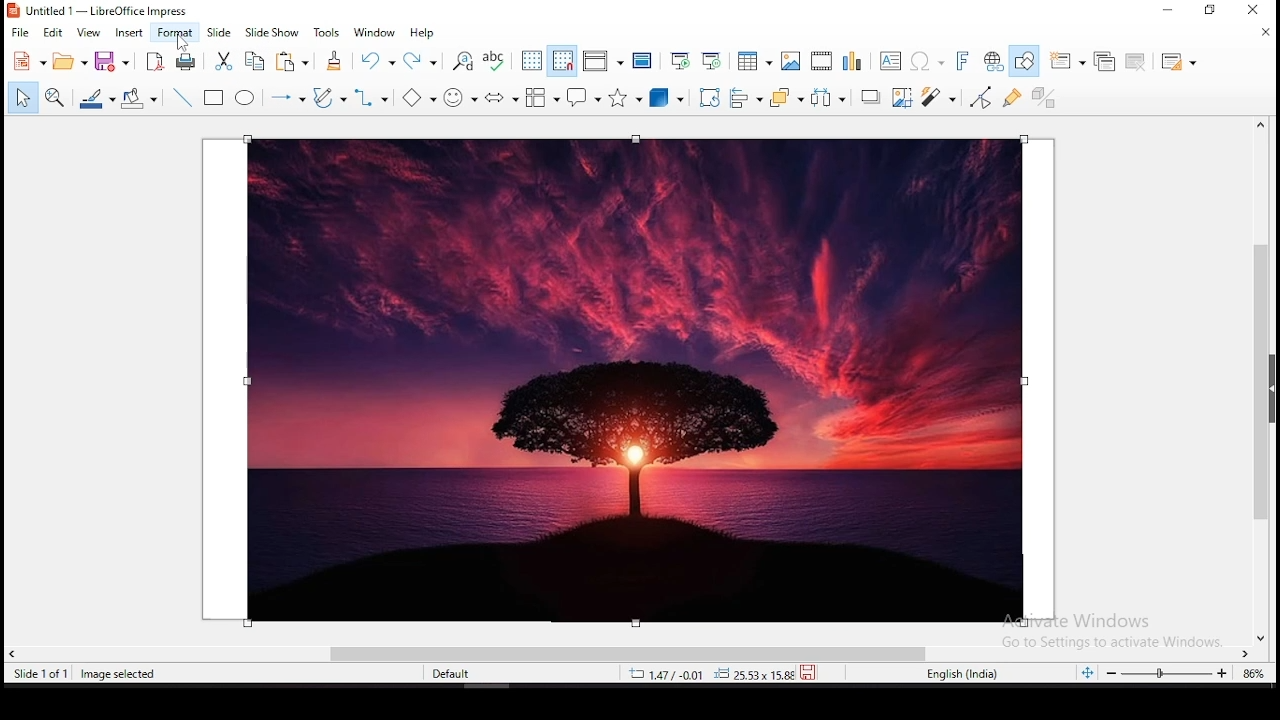  I want to click on tools, so click(326, 32).